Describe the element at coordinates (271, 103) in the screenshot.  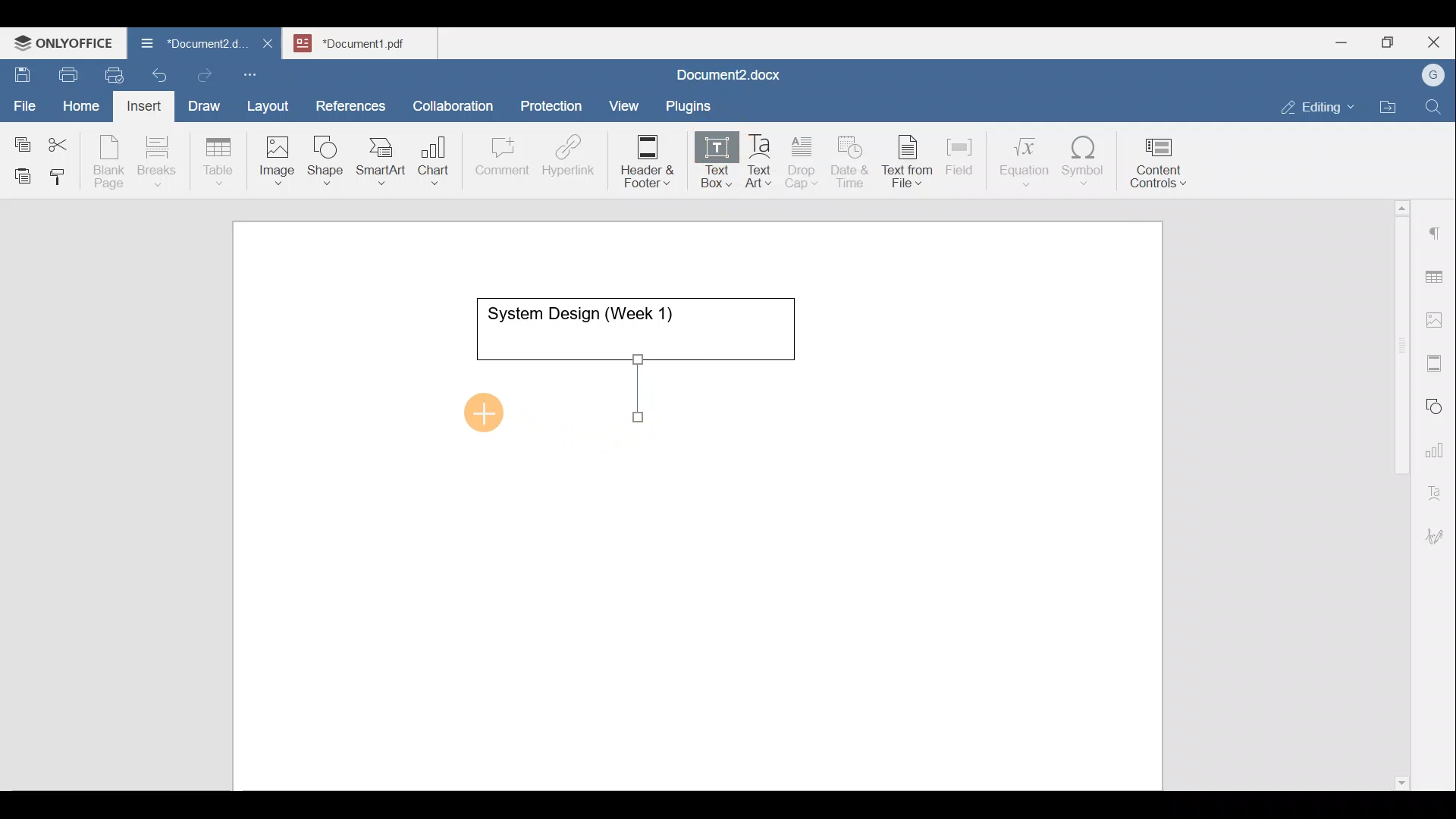
I see `Layout` at that location.